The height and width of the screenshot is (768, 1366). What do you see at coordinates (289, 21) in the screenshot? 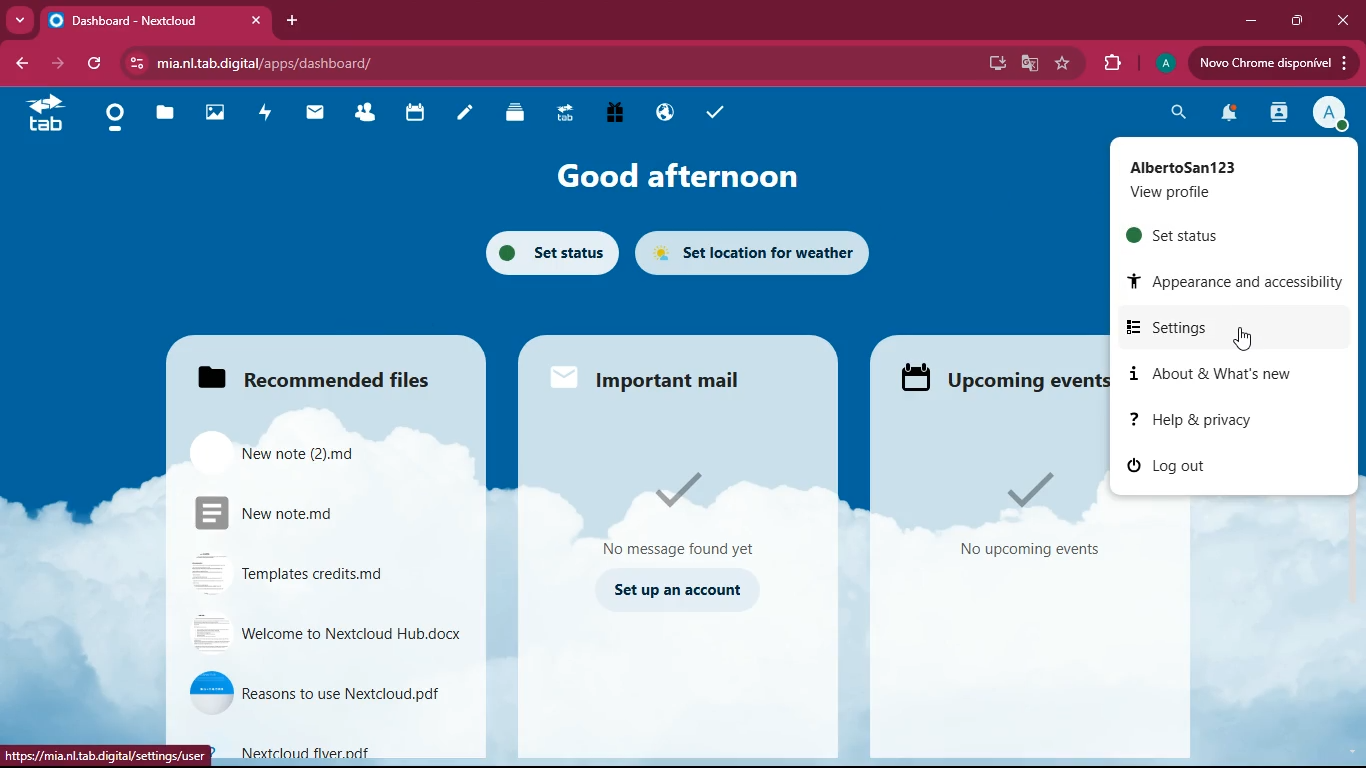
I see `add tab` at bounding box center [289, 21].